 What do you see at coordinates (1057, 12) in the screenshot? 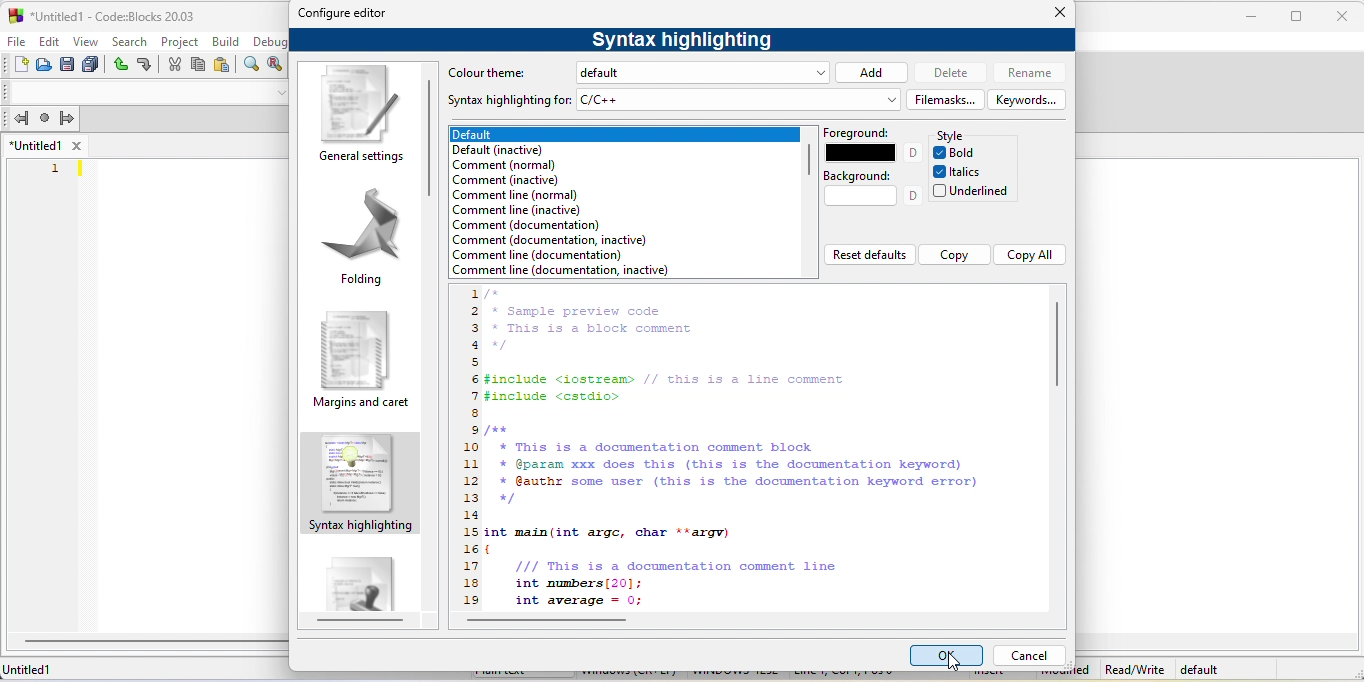
I see `close` at bounding box center [1057, 12].